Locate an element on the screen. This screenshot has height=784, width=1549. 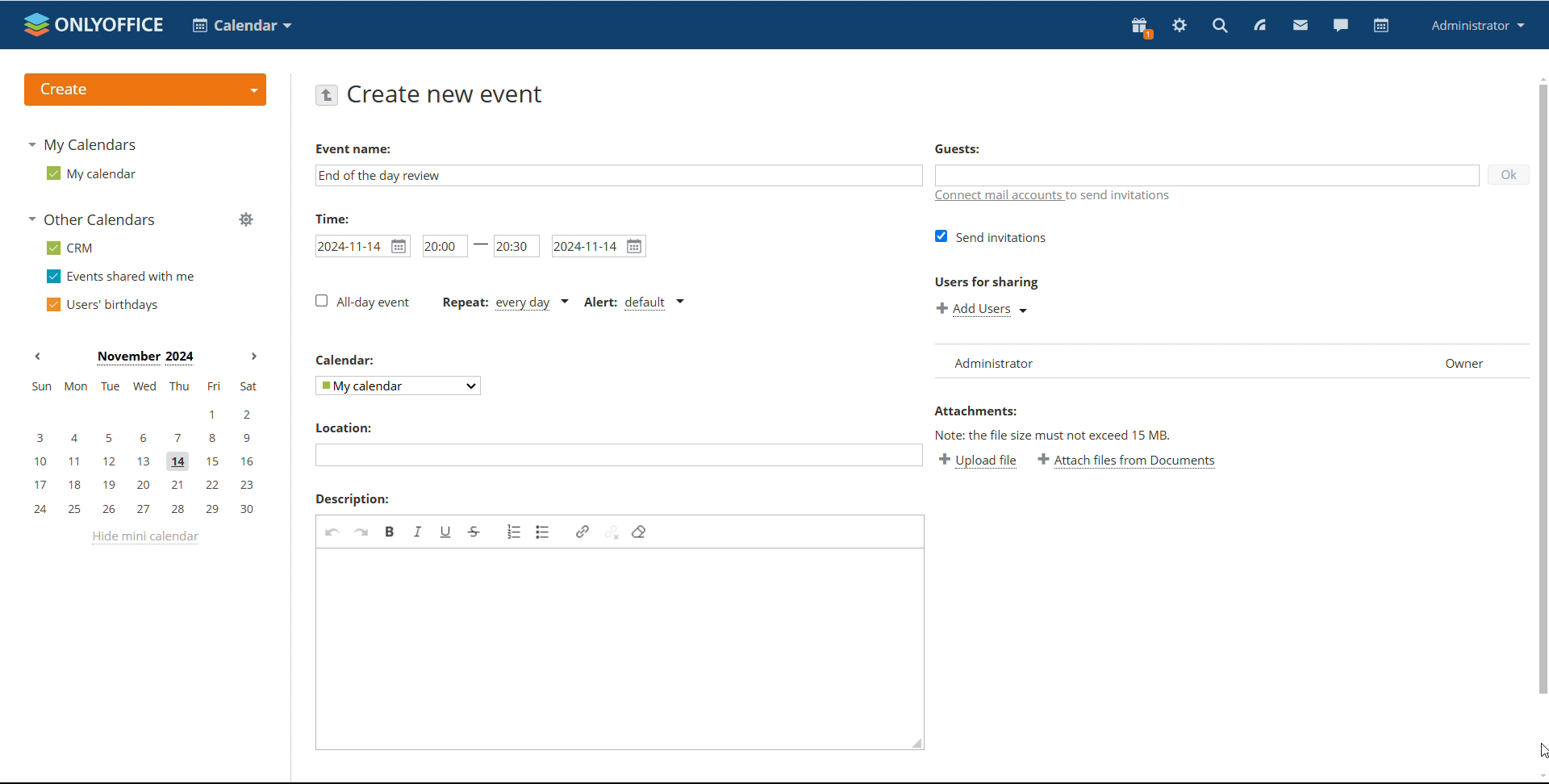
Attachments is located at coordinates (975, 411).